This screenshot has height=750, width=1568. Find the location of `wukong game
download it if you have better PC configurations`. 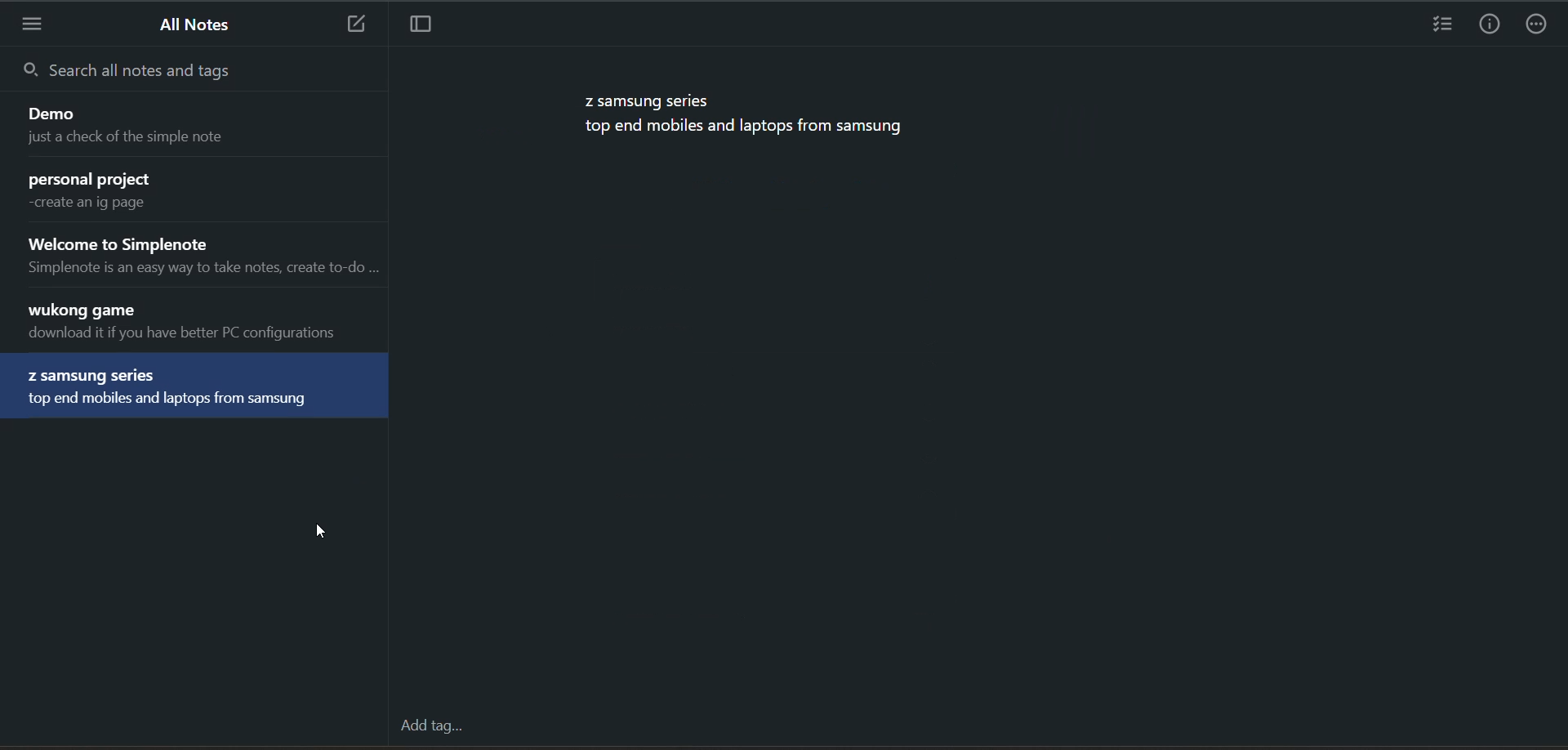

wukong game
download it if you have better PC configurations is located at coordinates (203, 324).